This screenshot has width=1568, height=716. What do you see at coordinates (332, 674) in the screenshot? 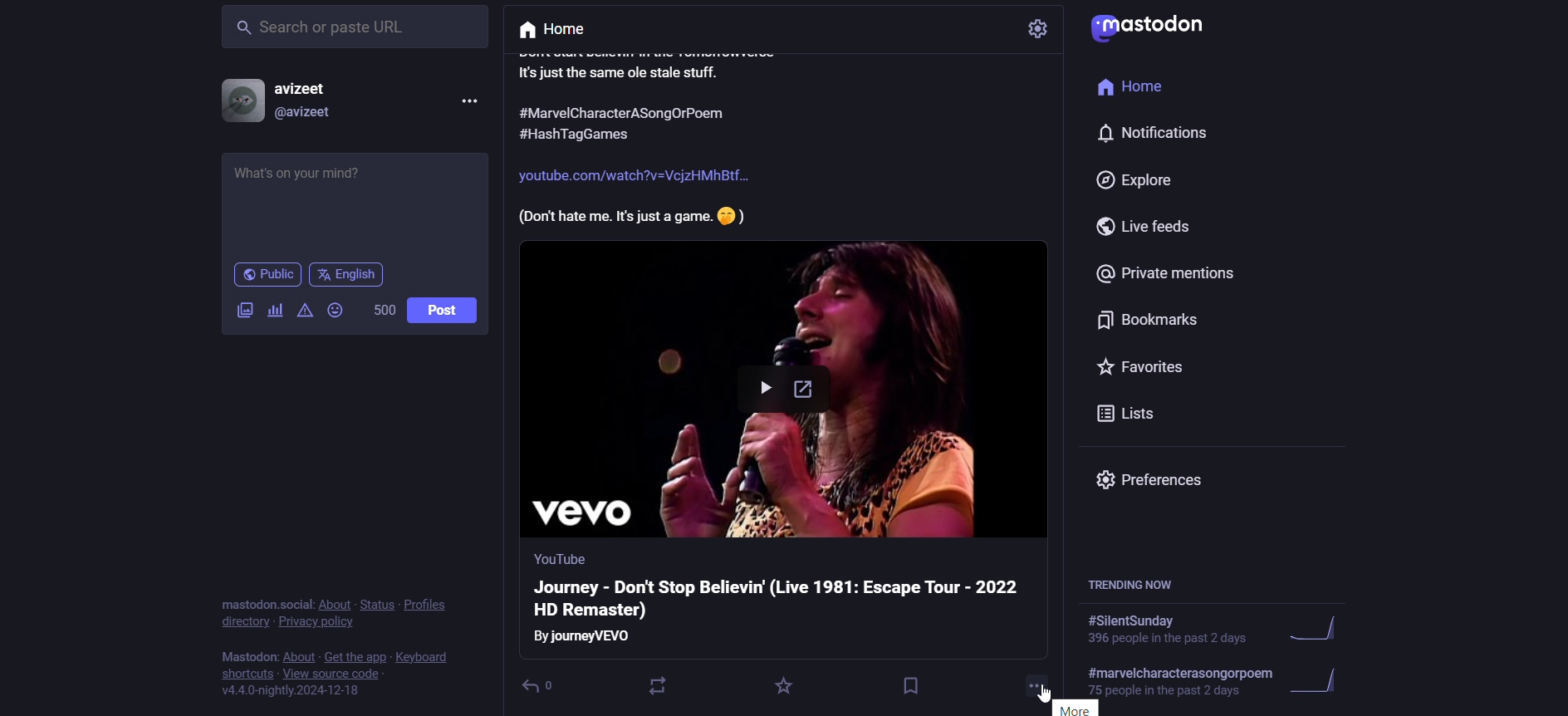
I see `view source code` at bounding box center [332, 674].